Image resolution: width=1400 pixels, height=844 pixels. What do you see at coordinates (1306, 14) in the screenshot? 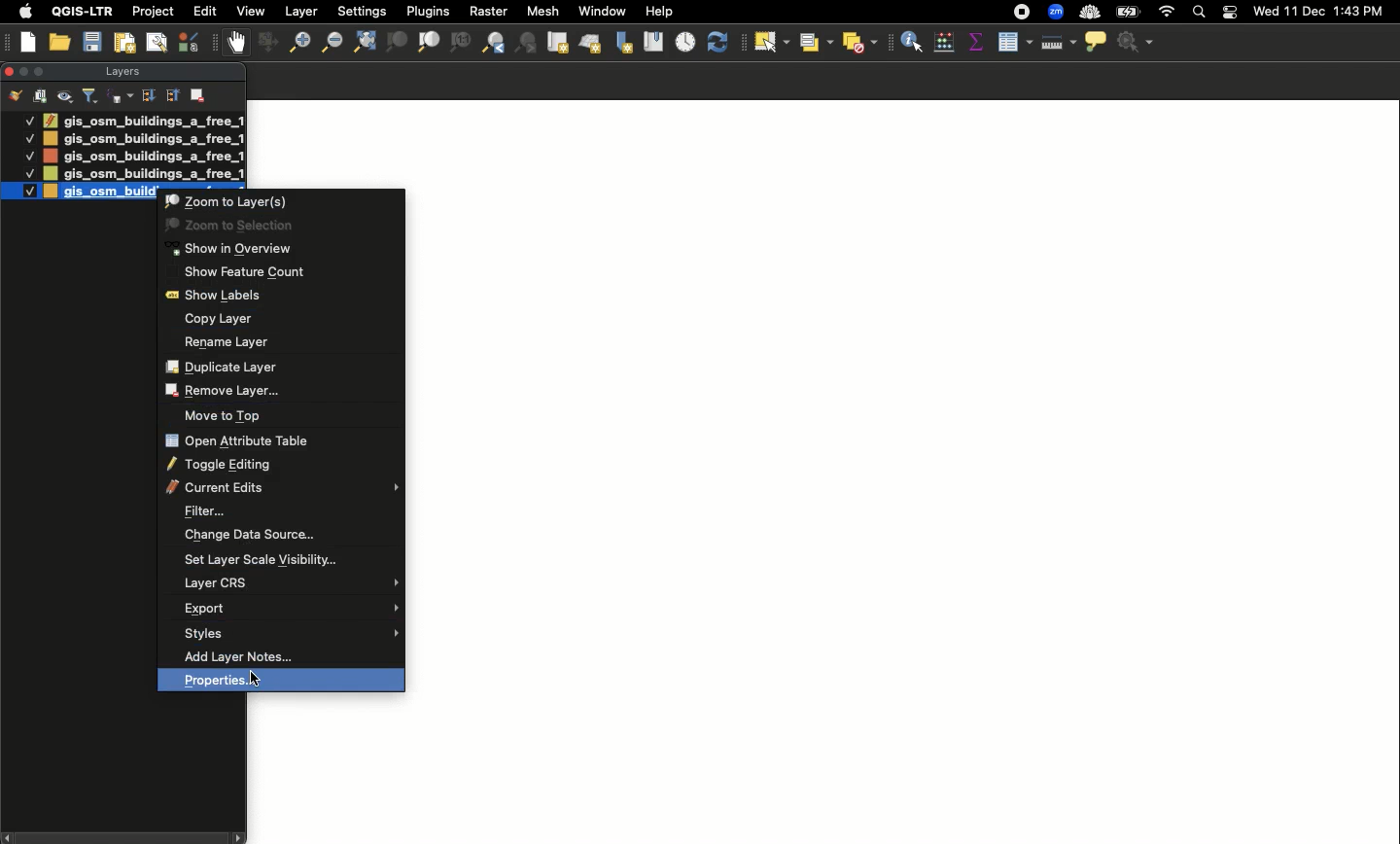
I see `11 Dec` at bounding box center [1306, 14].